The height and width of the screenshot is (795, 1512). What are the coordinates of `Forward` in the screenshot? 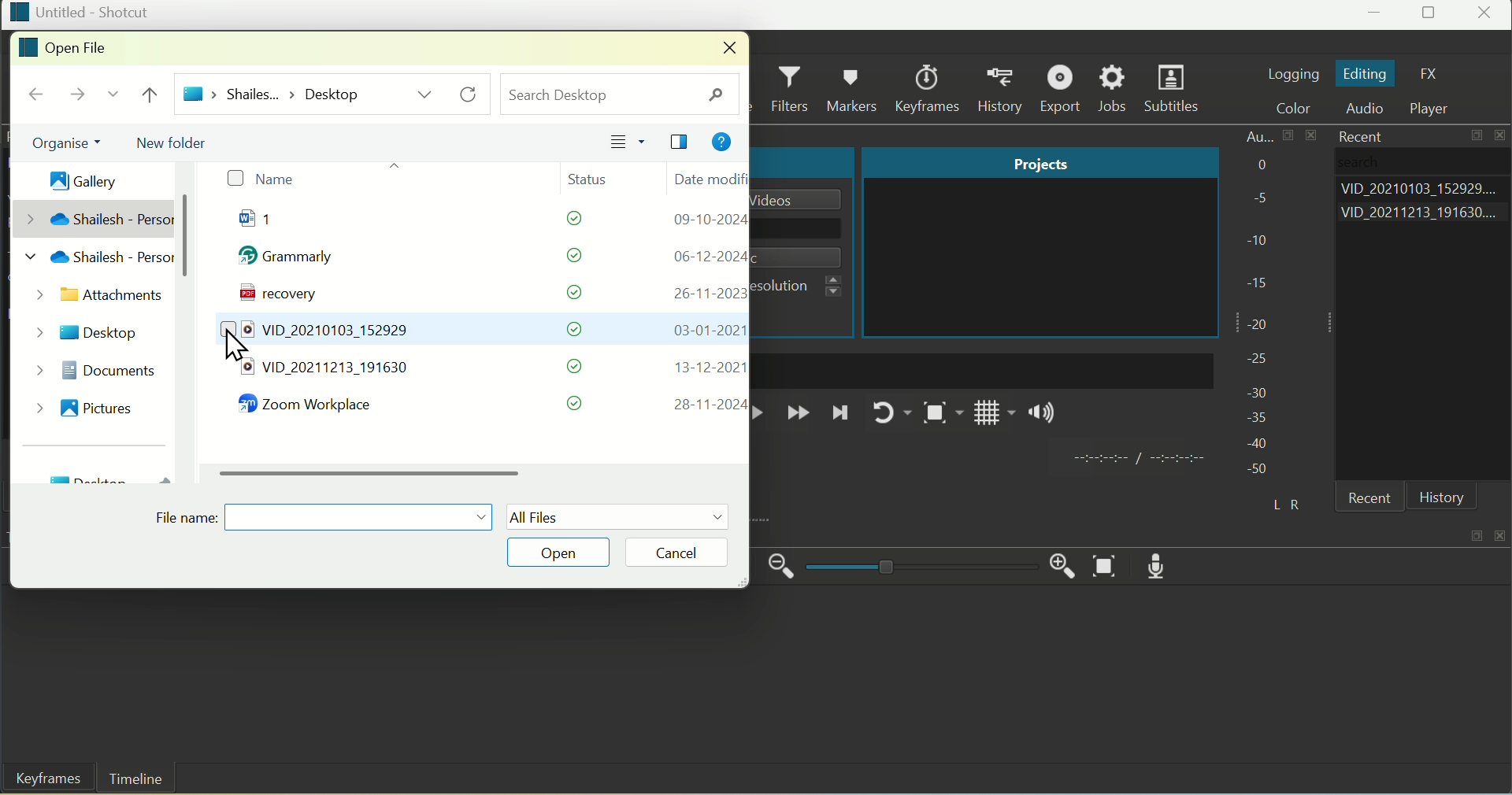 It's located at (798, 414).